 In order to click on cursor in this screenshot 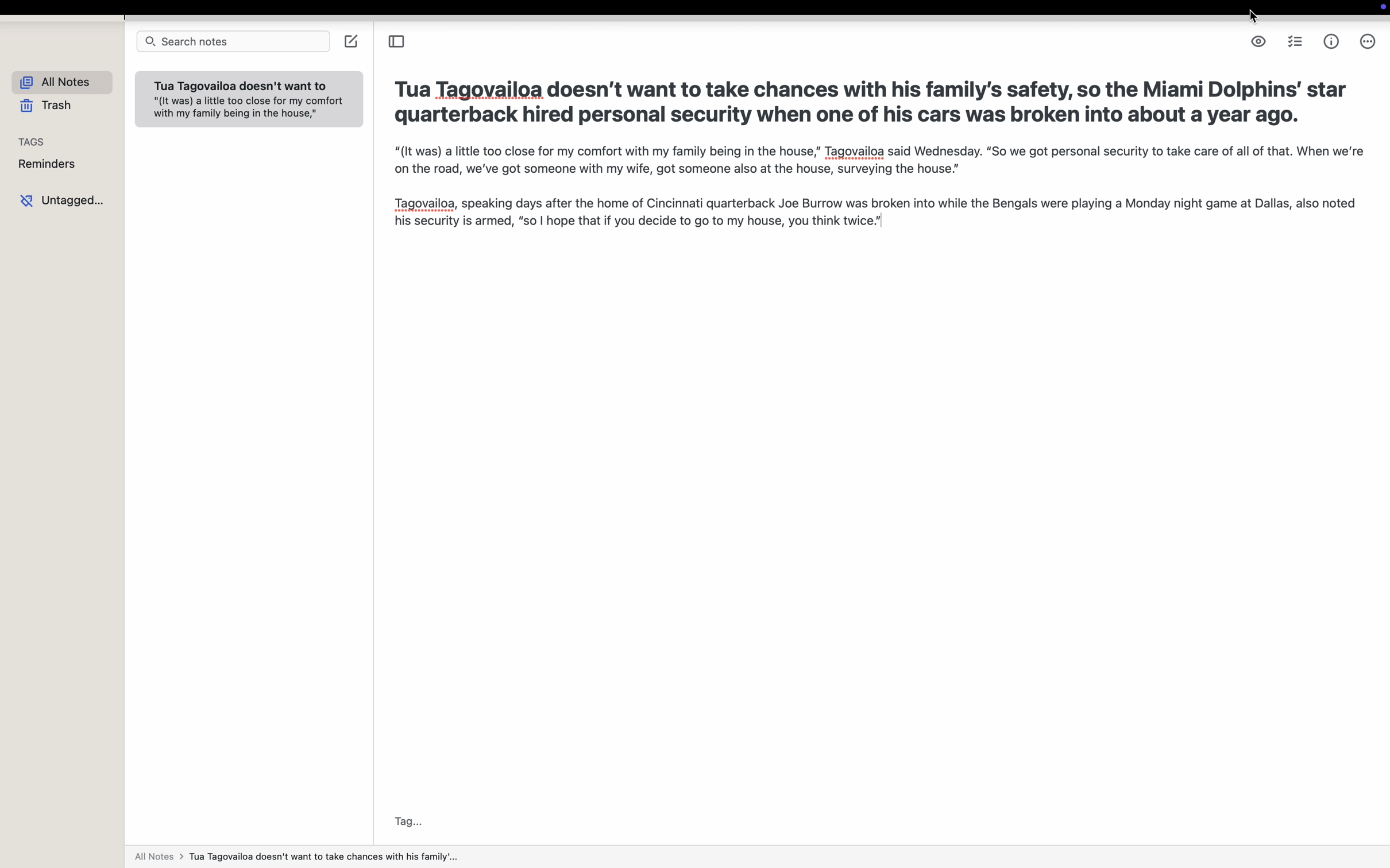, I will do `click(1251, 17)`.